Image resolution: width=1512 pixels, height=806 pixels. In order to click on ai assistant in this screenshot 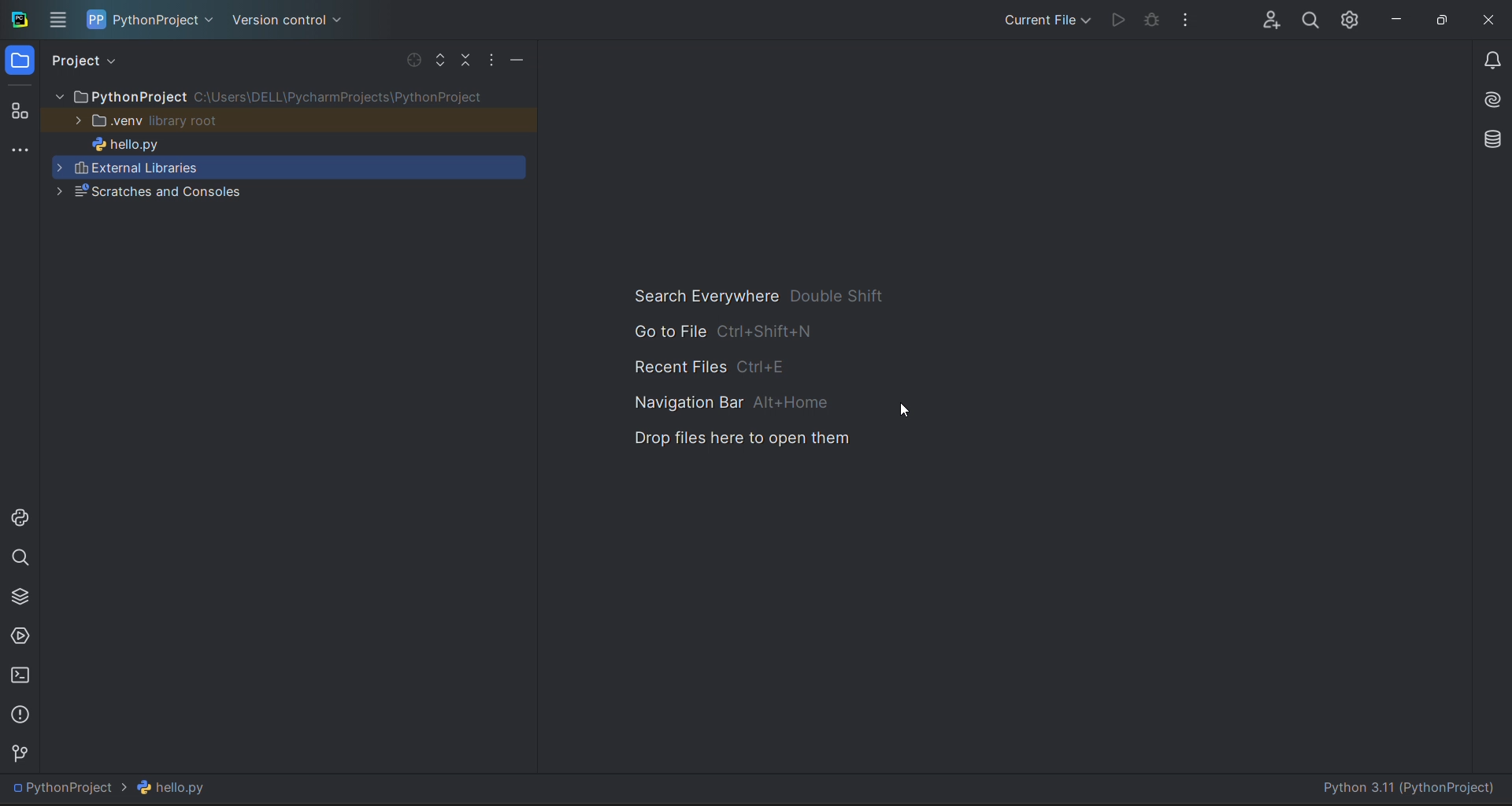, I will do `click(1493, 100)`.